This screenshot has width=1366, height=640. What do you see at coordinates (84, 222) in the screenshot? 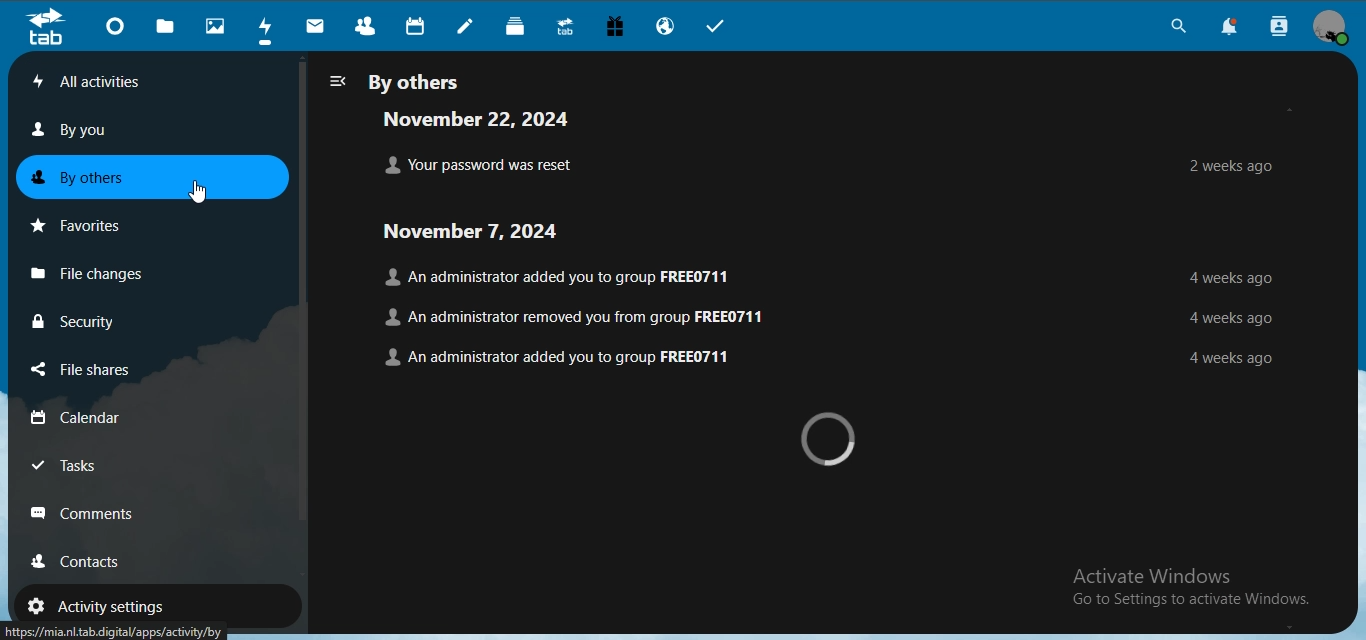
I see `favourites` at bounding box center [84, 222].